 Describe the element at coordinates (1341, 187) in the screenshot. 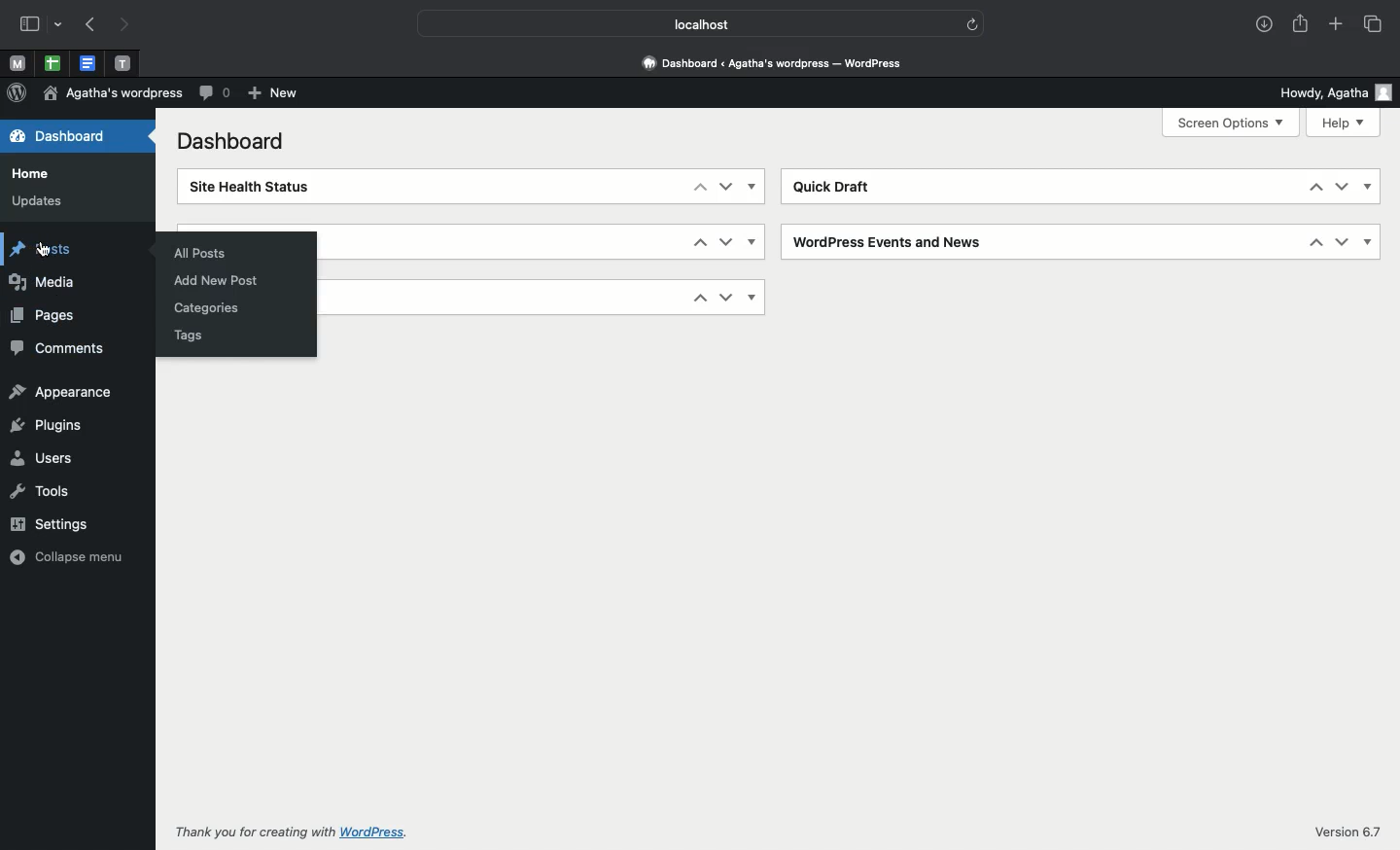

I see `Down` at that location.